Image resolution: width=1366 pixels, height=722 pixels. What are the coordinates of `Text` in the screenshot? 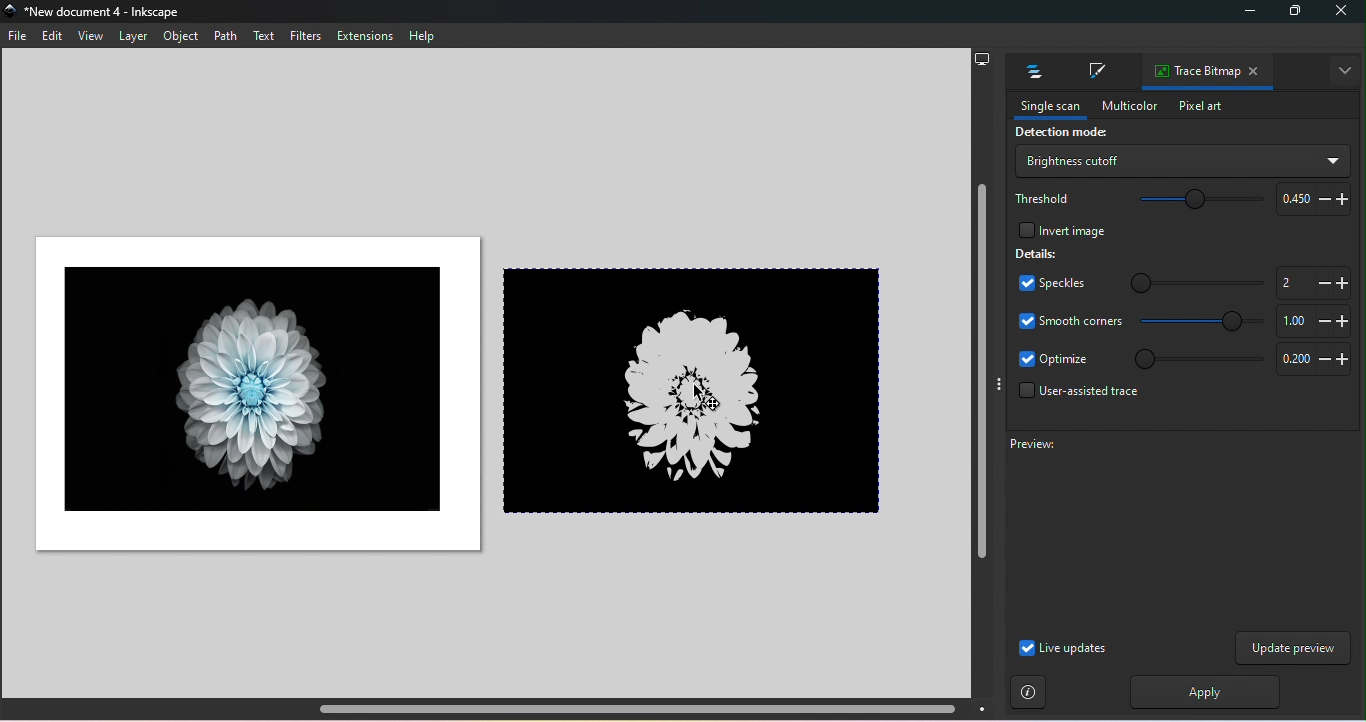 It's located at (265, 36).